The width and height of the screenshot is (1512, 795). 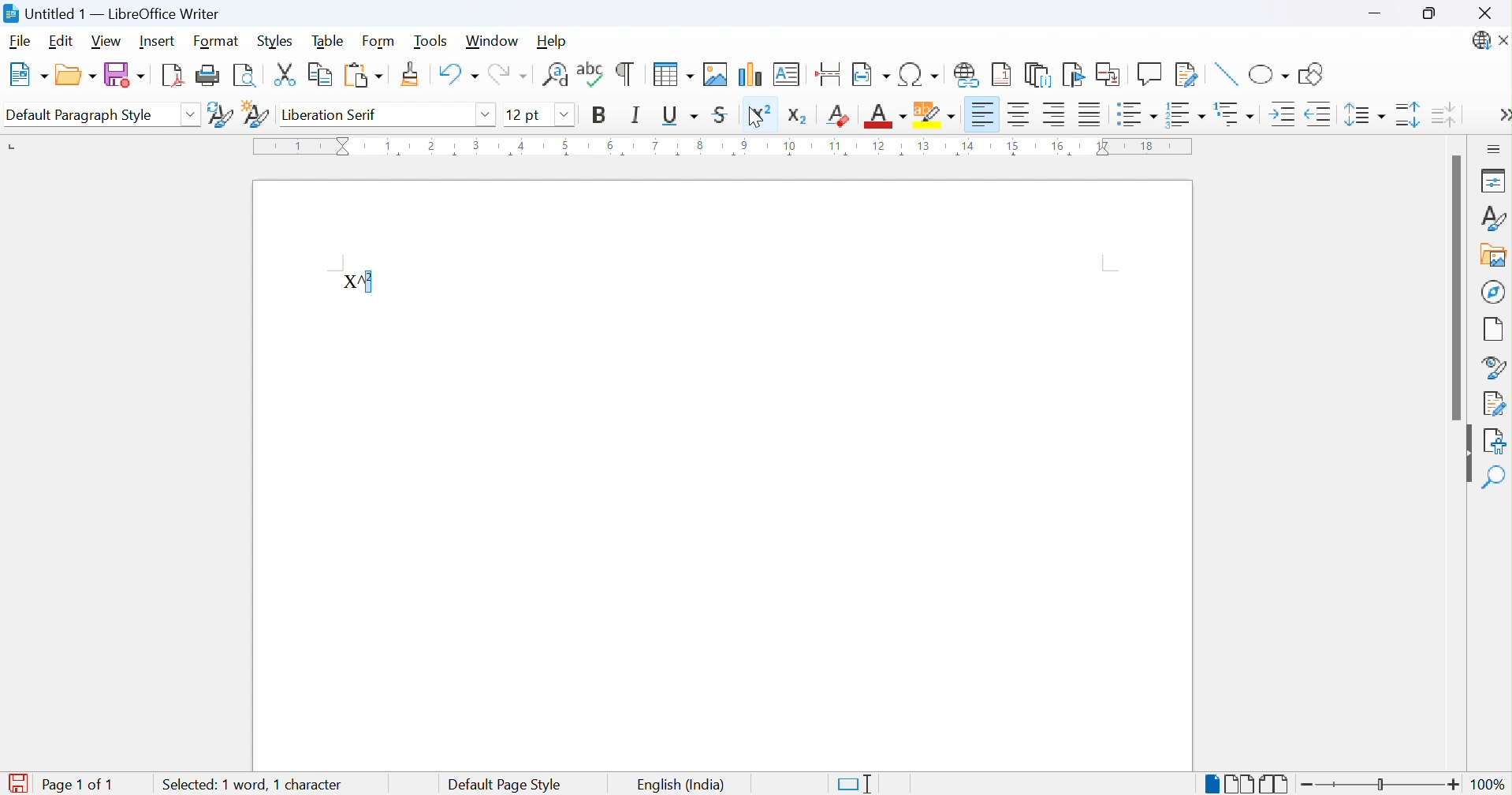 I want to click on Help, so click(x=554, y=42).